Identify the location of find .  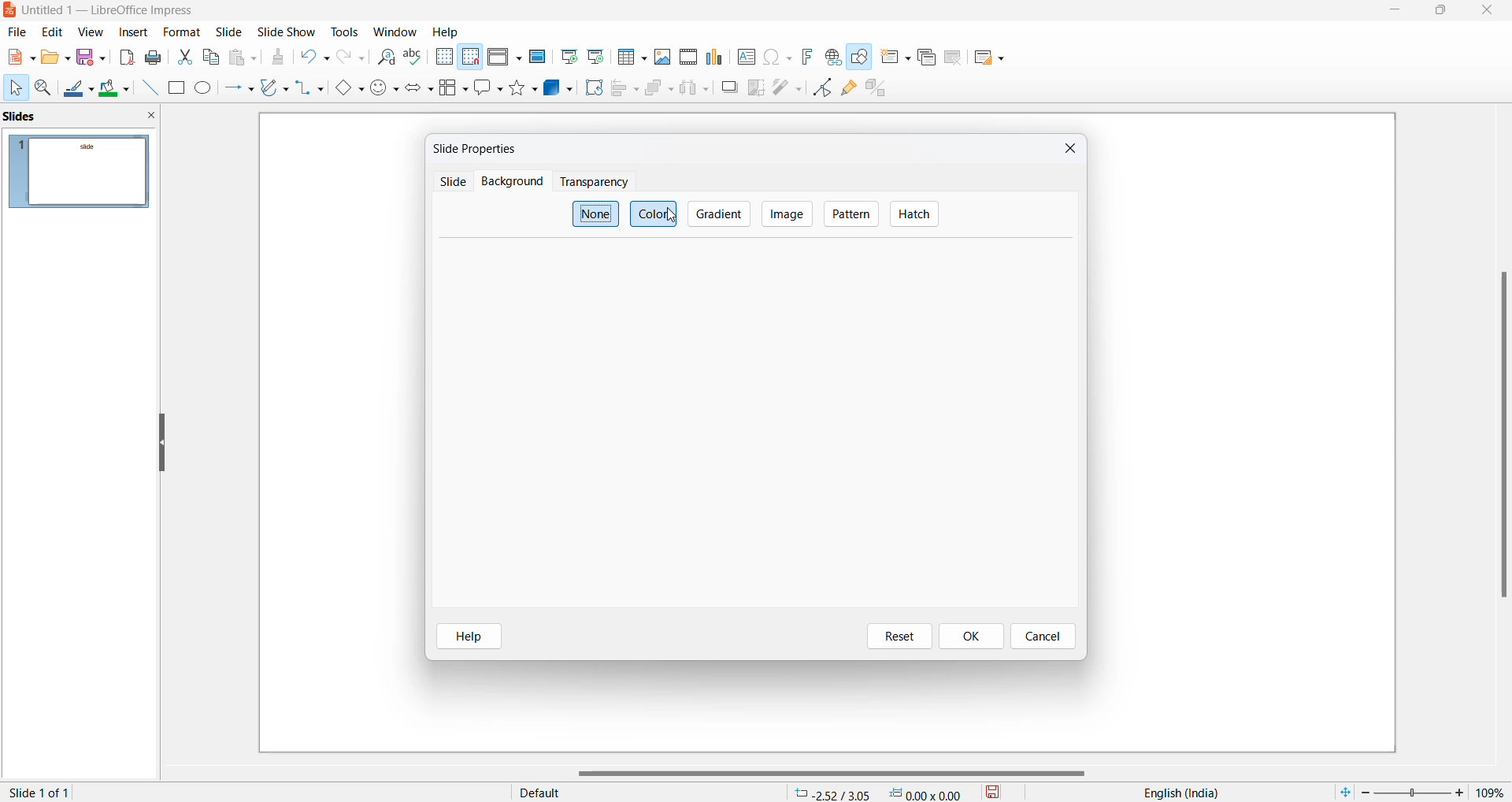
(387, 58).